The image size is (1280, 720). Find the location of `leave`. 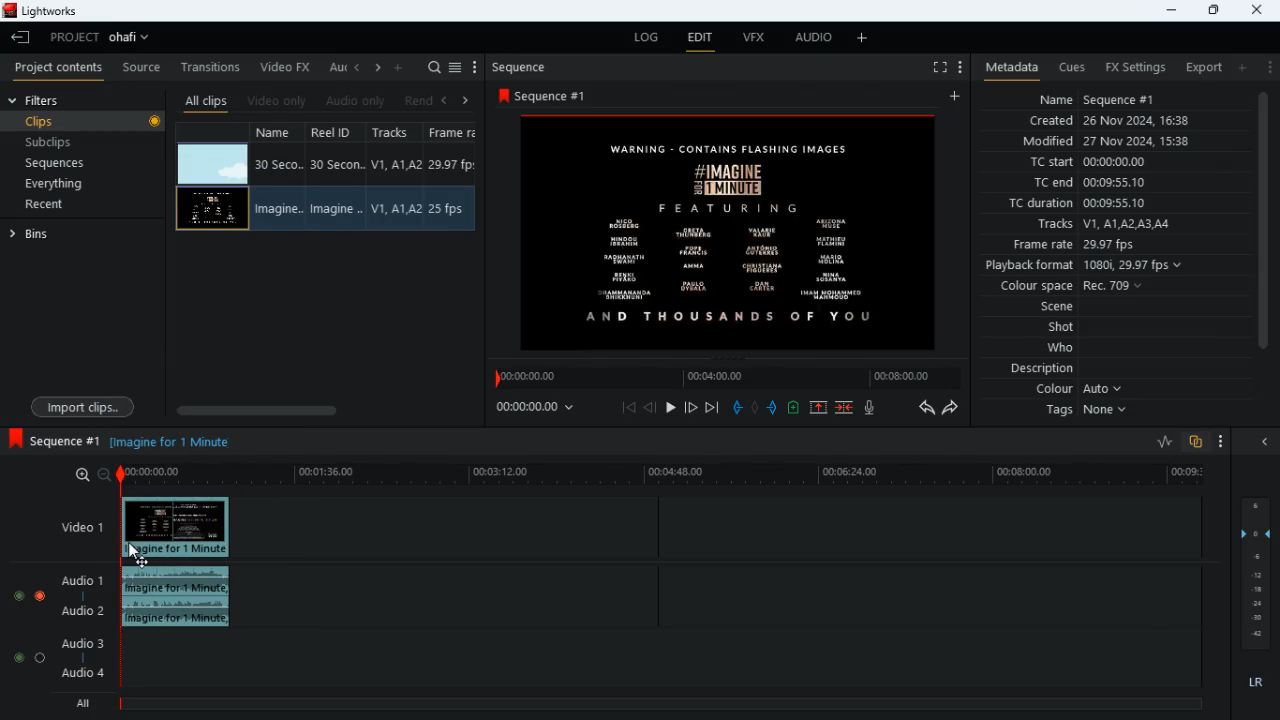

leave is located at coordinates (21, 35).